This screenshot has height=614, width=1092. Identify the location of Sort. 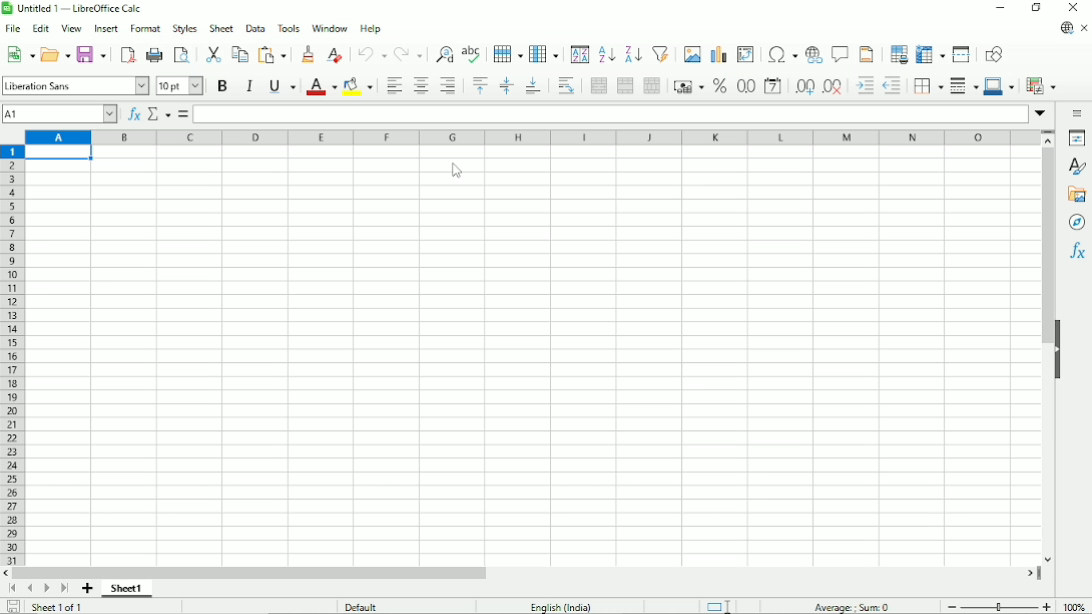
(579, 54).